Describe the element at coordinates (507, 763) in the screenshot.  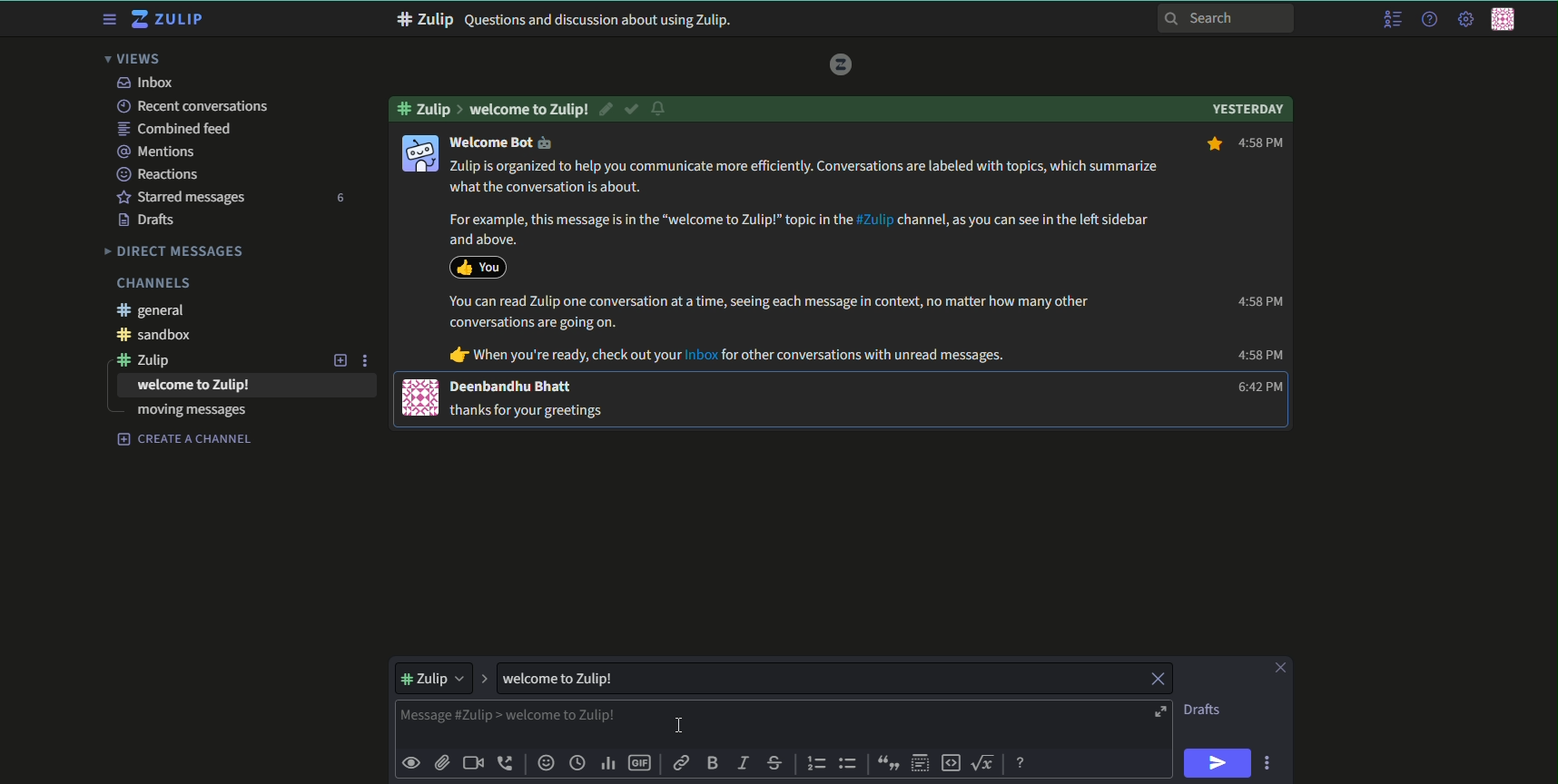
I see `add voice call` at that location.